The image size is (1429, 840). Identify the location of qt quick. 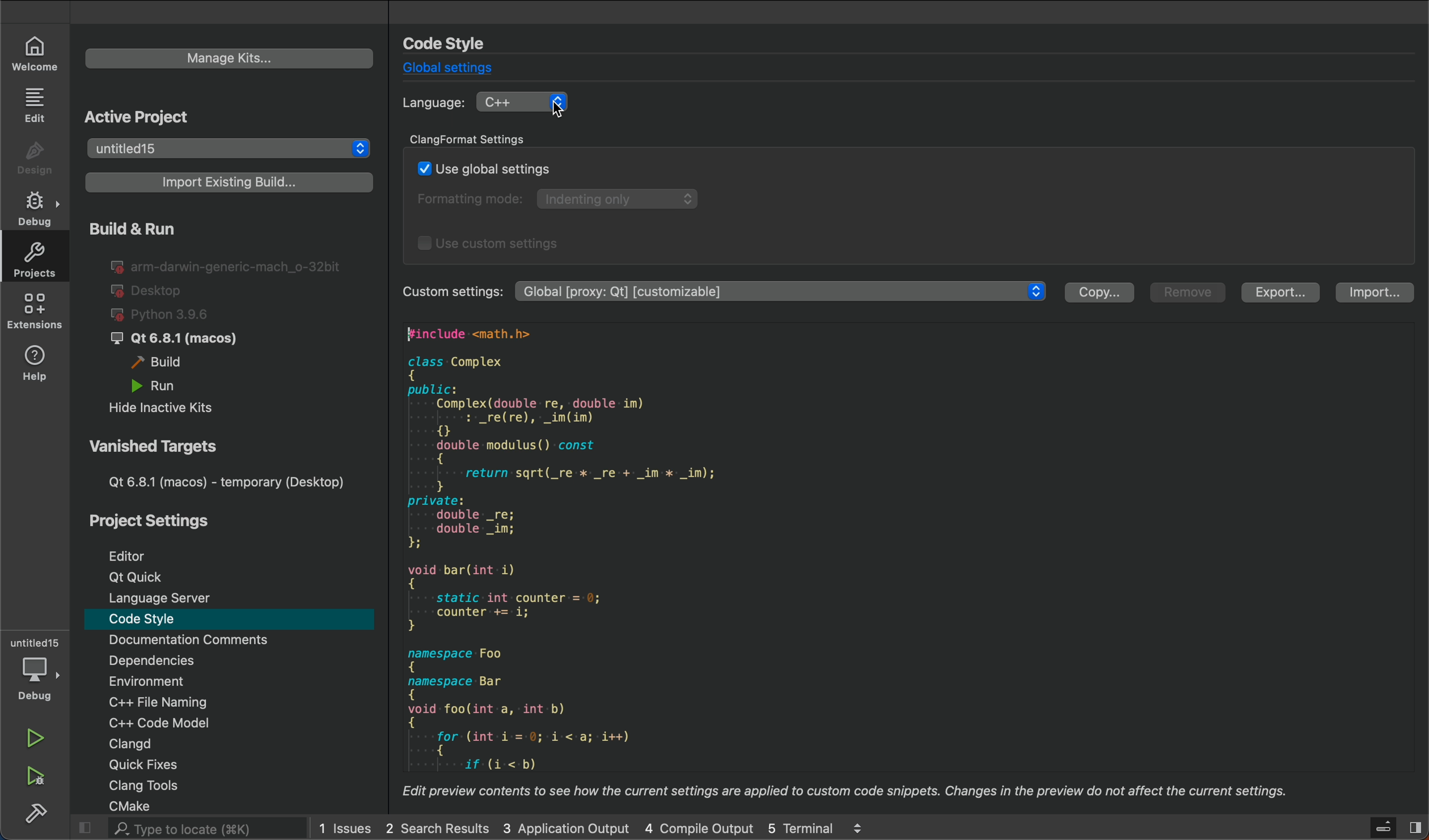
(133, 577).